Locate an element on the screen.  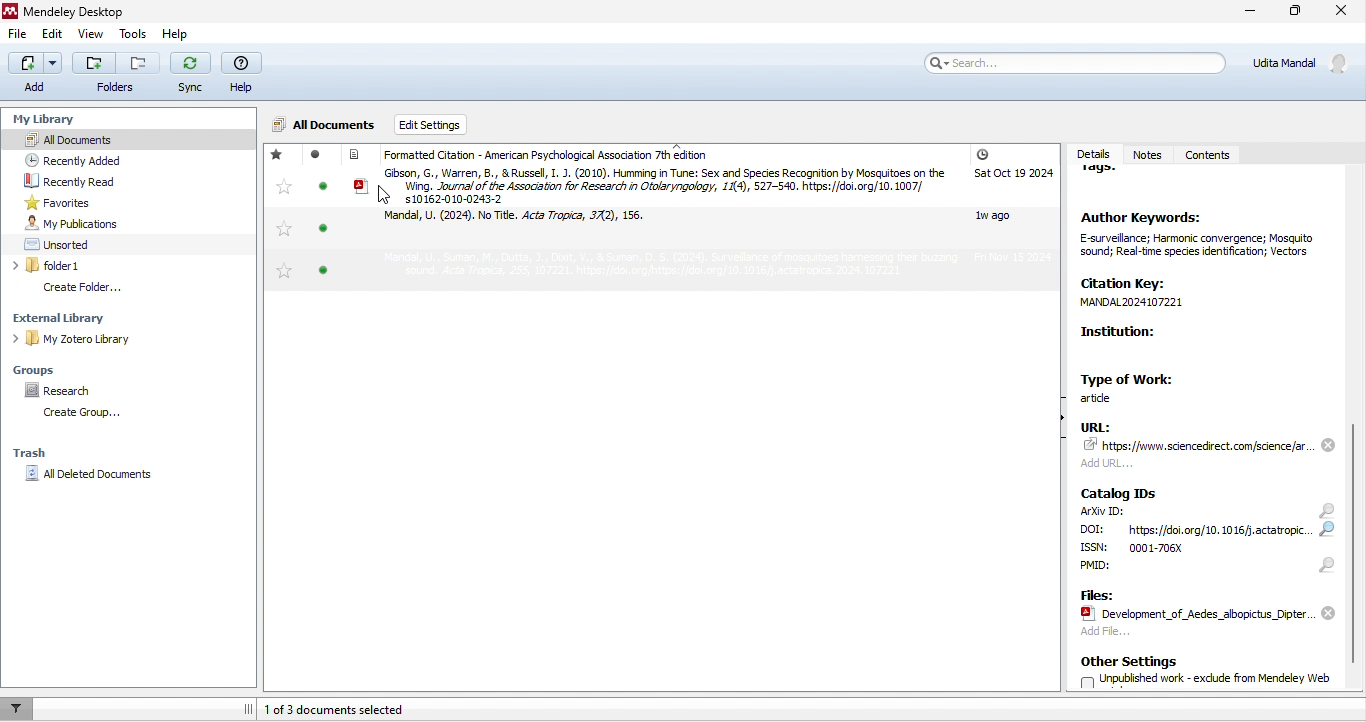
ArXiv ID is located at coordinates (1102, 512).